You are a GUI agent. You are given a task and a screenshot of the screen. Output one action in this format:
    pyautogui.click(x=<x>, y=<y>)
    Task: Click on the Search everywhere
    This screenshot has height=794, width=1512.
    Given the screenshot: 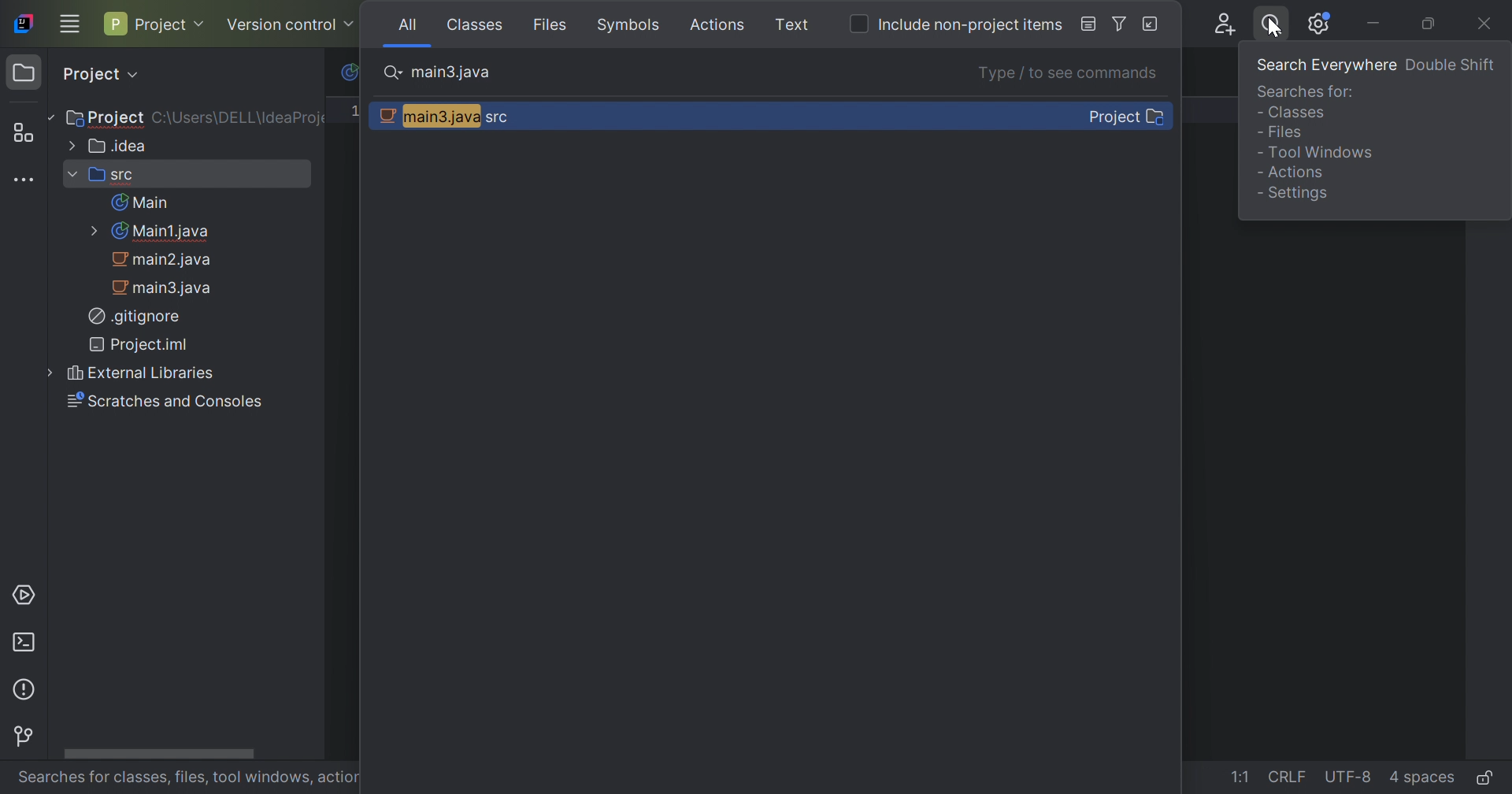 What is the action you would take?
    pyautogui.click(x=1267, y=28)
    